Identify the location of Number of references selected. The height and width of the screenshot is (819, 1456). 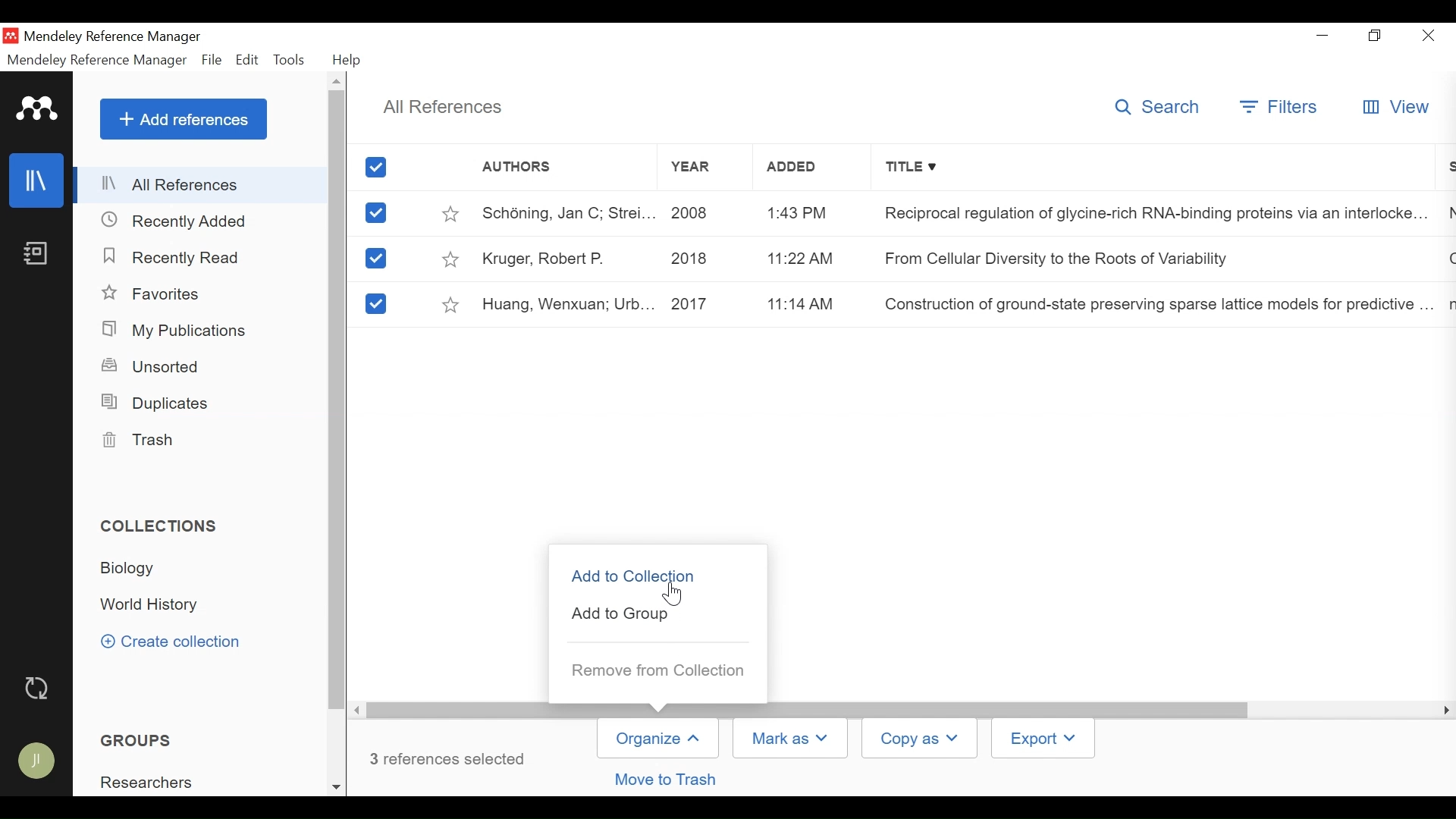
(449, 758).